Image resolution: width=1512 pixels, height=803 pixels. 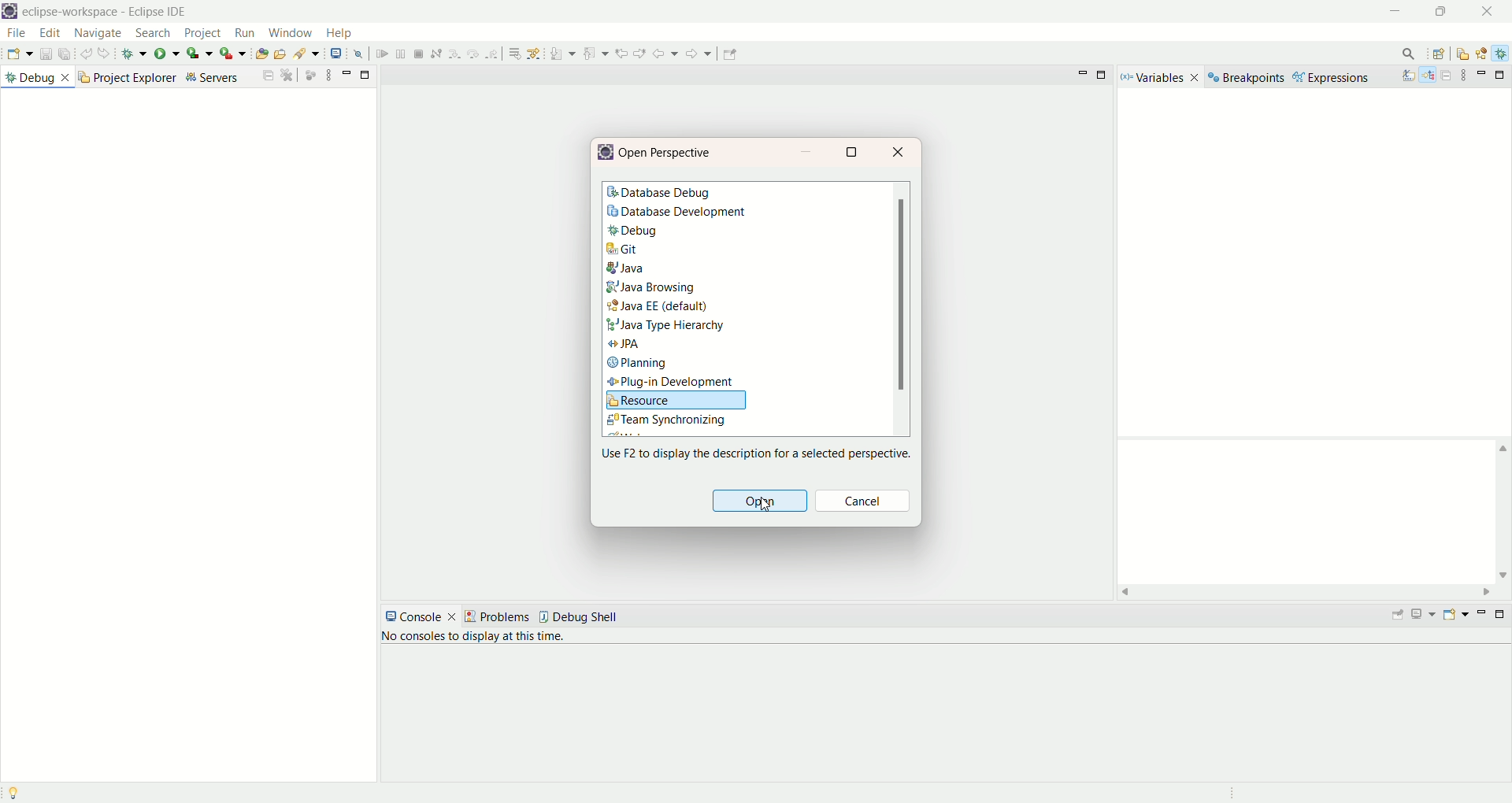 I want to click on display console, so click(x=1425, y=612).